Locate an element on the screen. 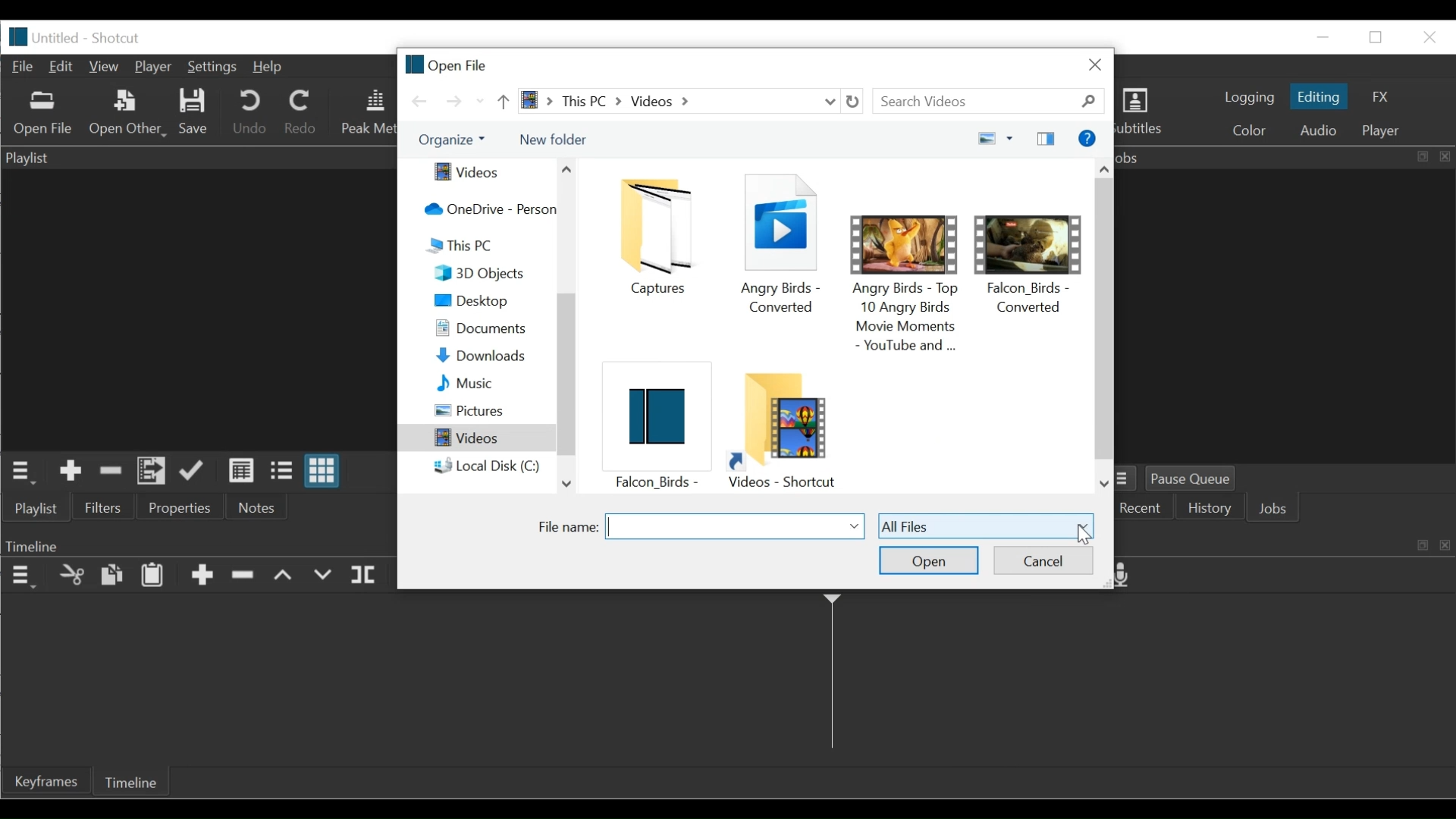 The height and width of the screenshot is (819, 1456). Settings is located at coordinates (212, 68).